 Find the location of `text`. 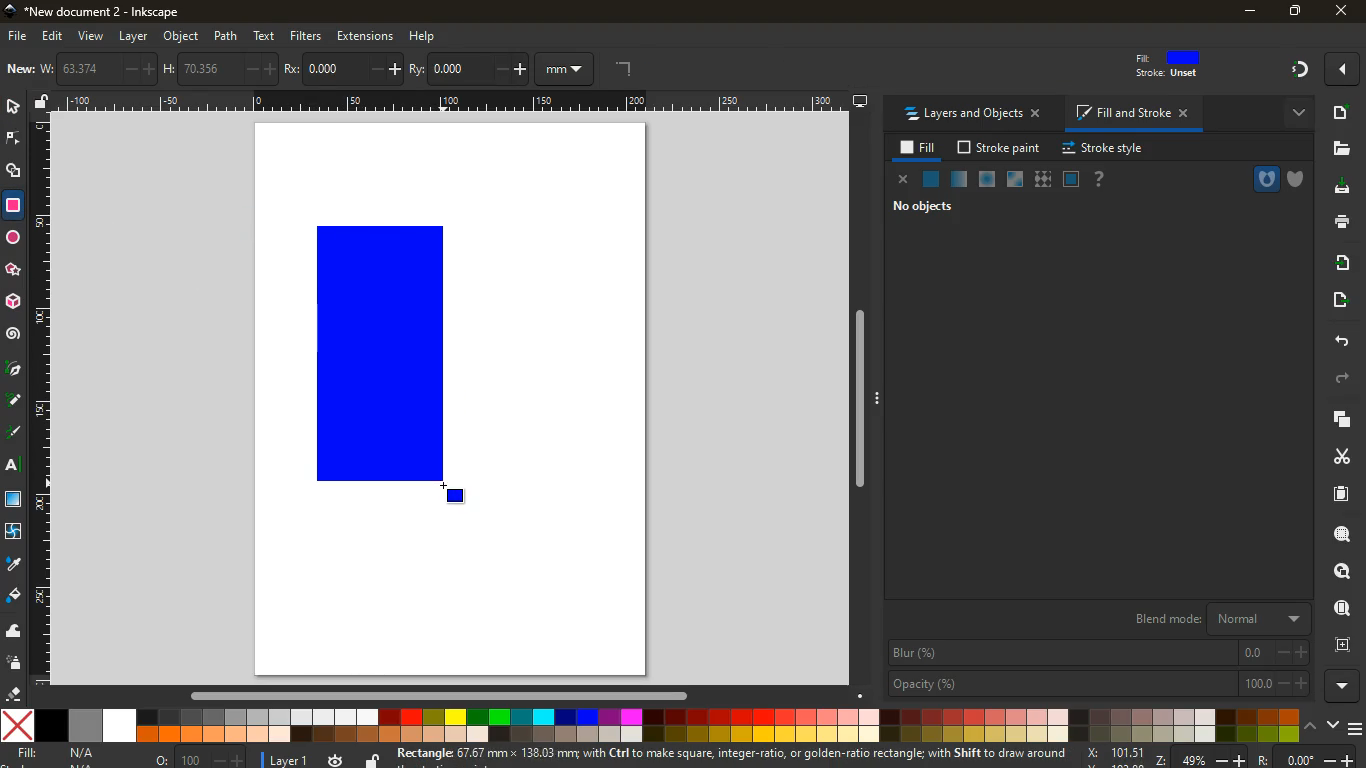

text is located at coordinates (265, 36).